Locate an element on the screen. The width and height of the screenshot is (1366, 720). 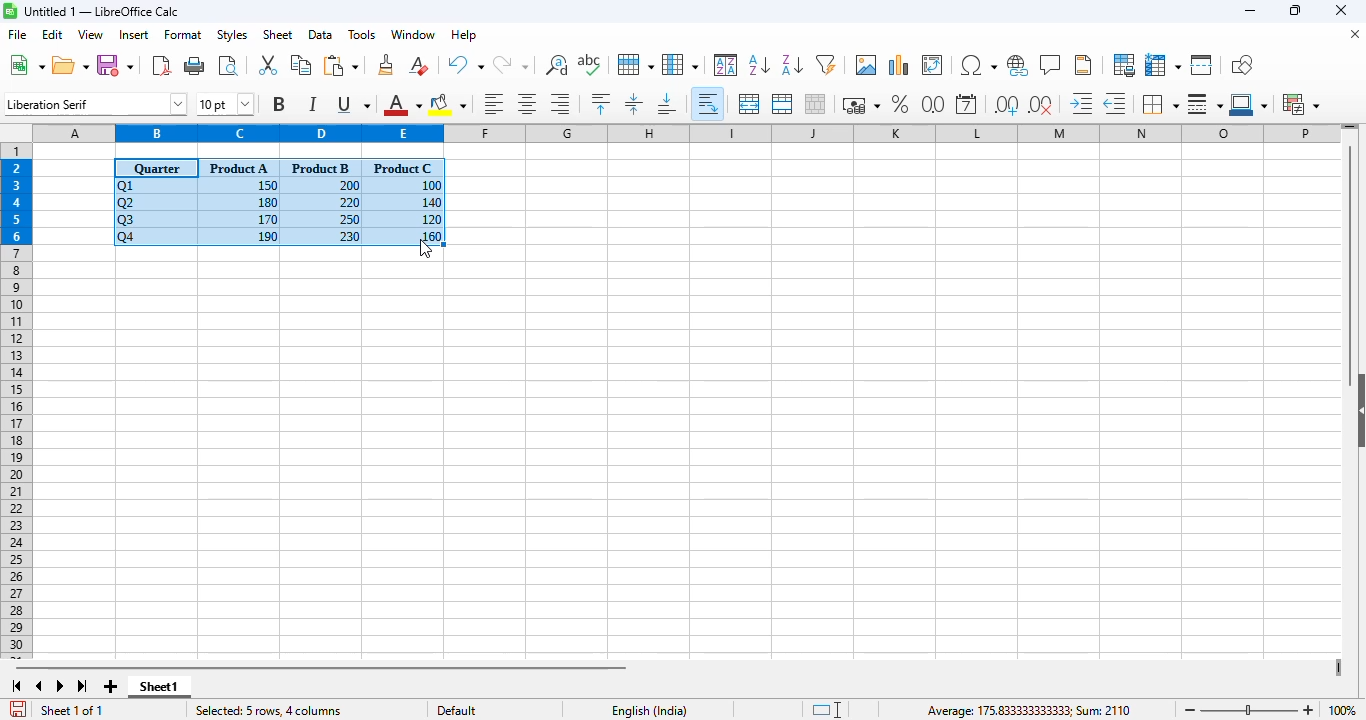
text language is located at coordinates (650, 709).